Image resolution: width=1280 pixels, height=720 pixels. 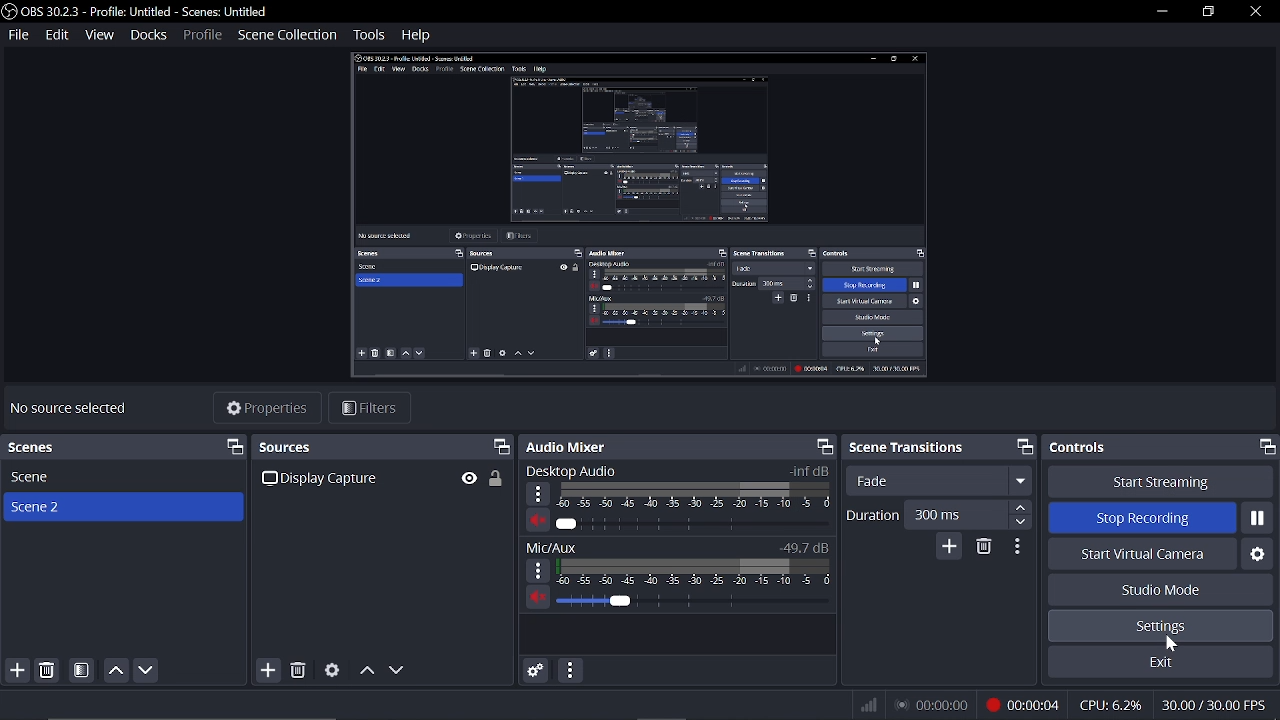 I want to click on screen preview, so click(x=650, y=219).